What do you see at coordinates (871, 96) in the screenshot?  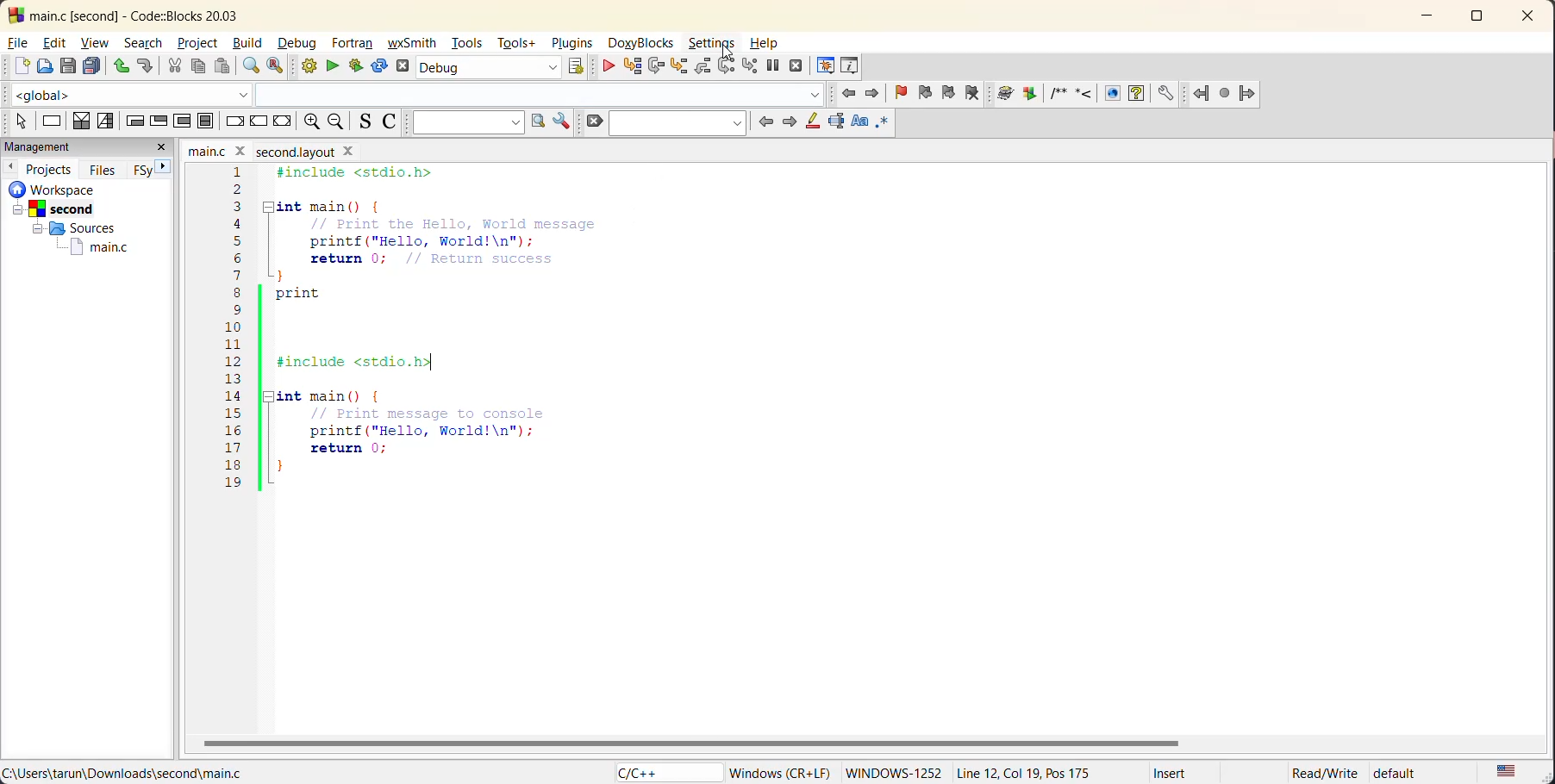 I see `jump forward` at bounding box center [871, 96].